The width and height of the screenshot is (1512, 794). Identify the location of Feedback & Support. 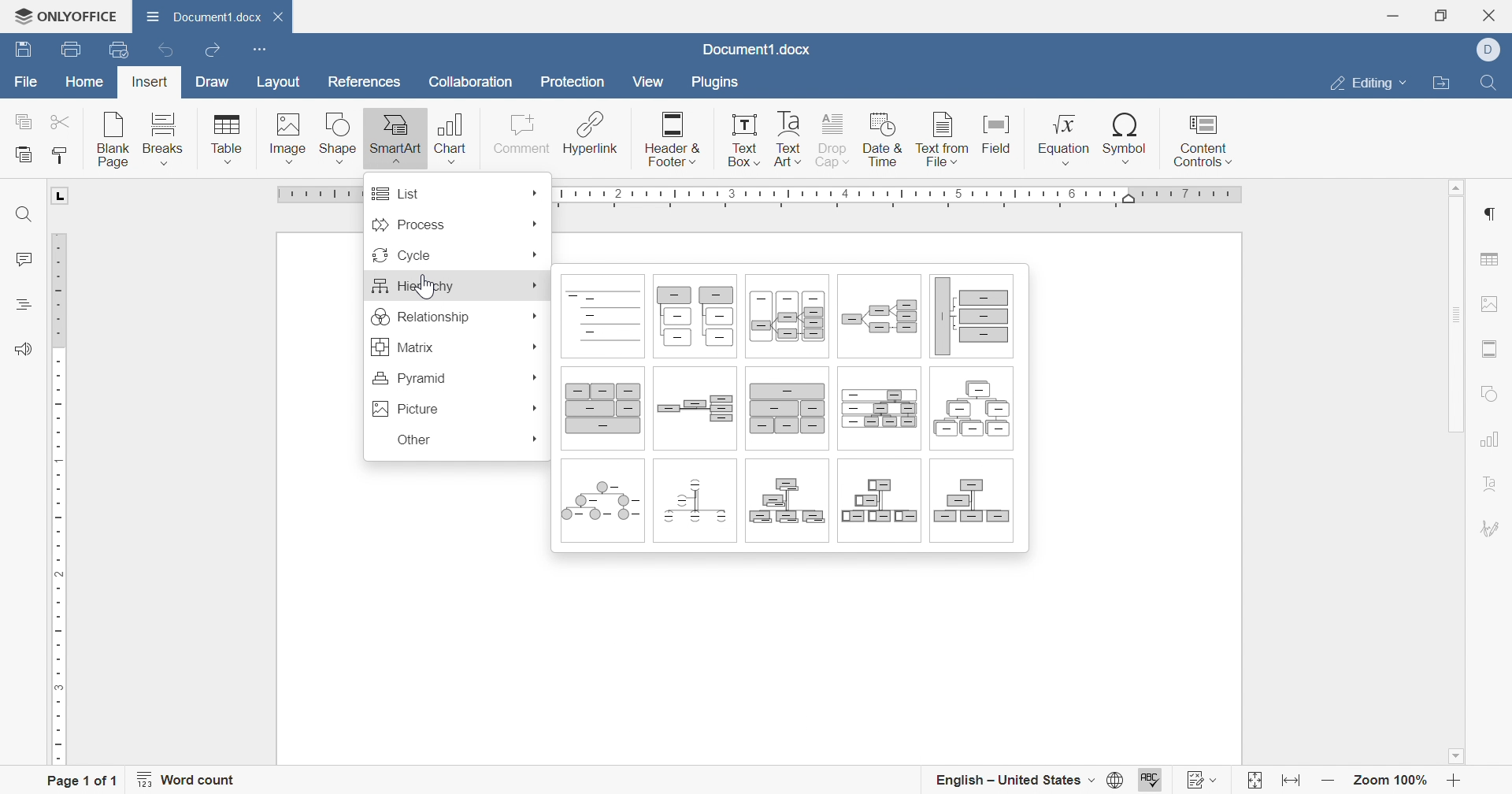
(18, 349).